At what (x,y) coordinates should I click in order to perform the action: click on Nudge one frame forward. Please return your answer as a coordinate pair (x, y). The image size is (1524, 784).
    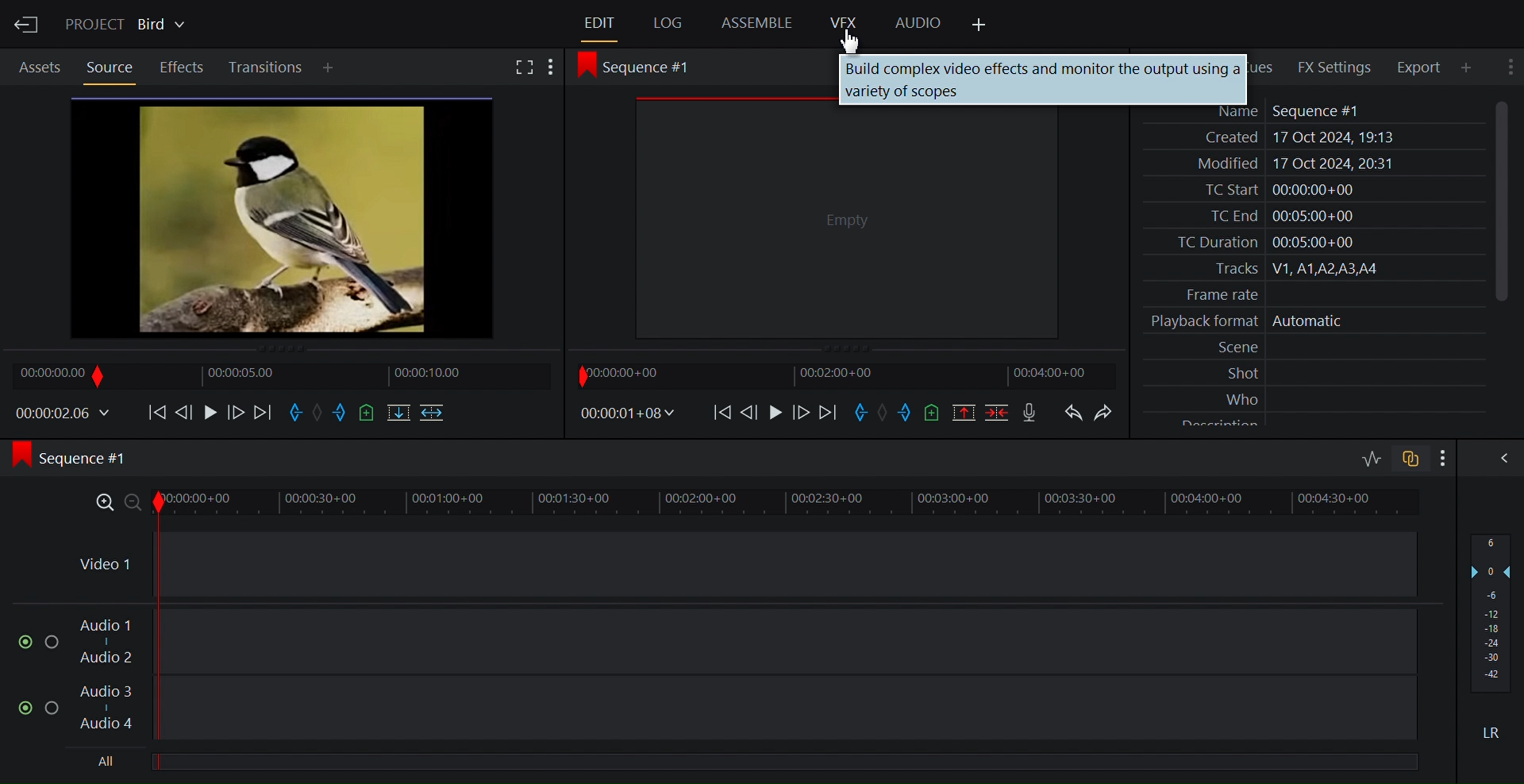
    Looking at the image, I should click on (234, 412).